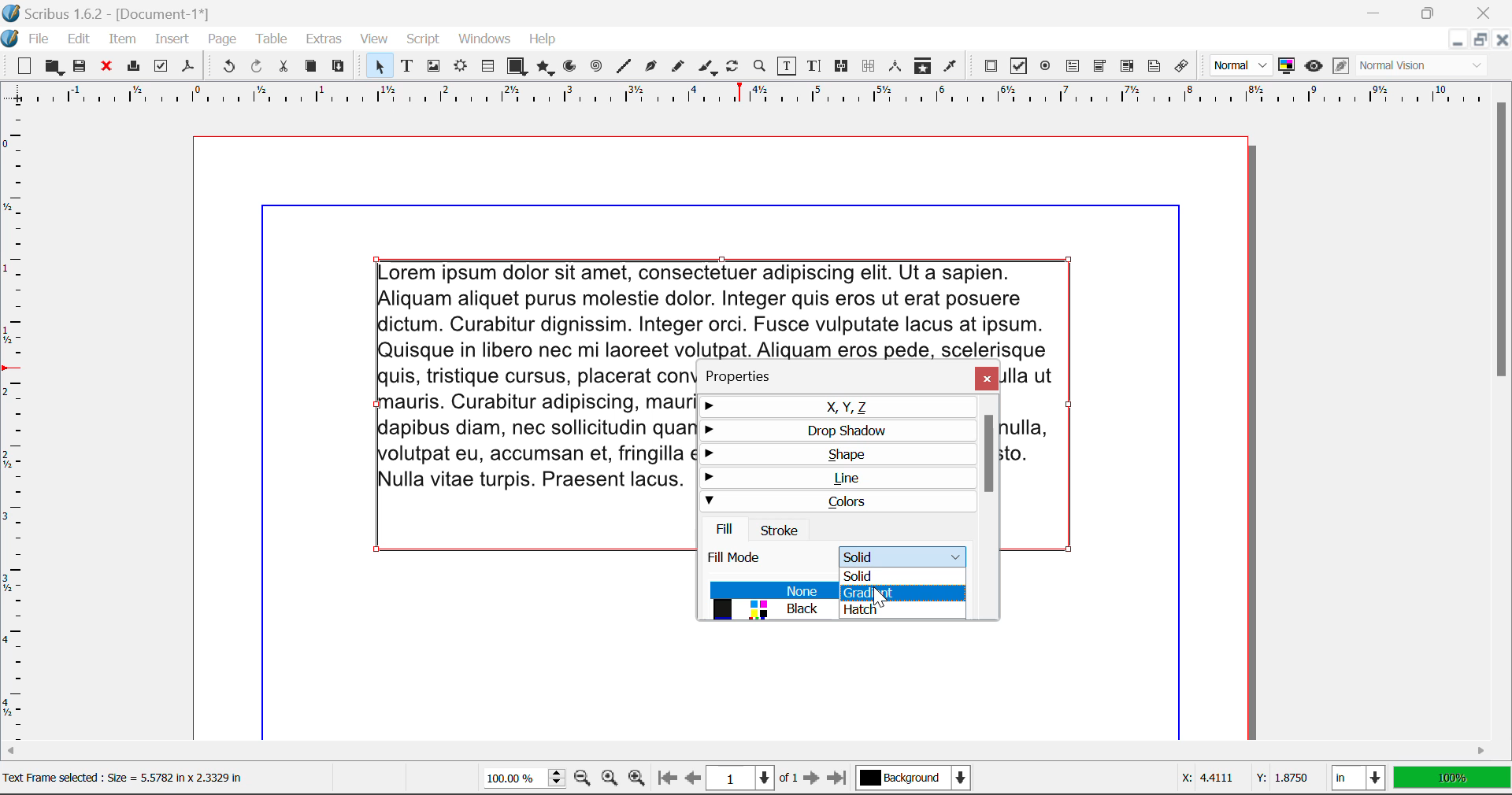 Image resolution: width=1512 pixels, height=795 pixels. What do you see at coordinates (188, 68) in the screenshot?
I see `Save as Pdf` at bounding box center [188, 68].